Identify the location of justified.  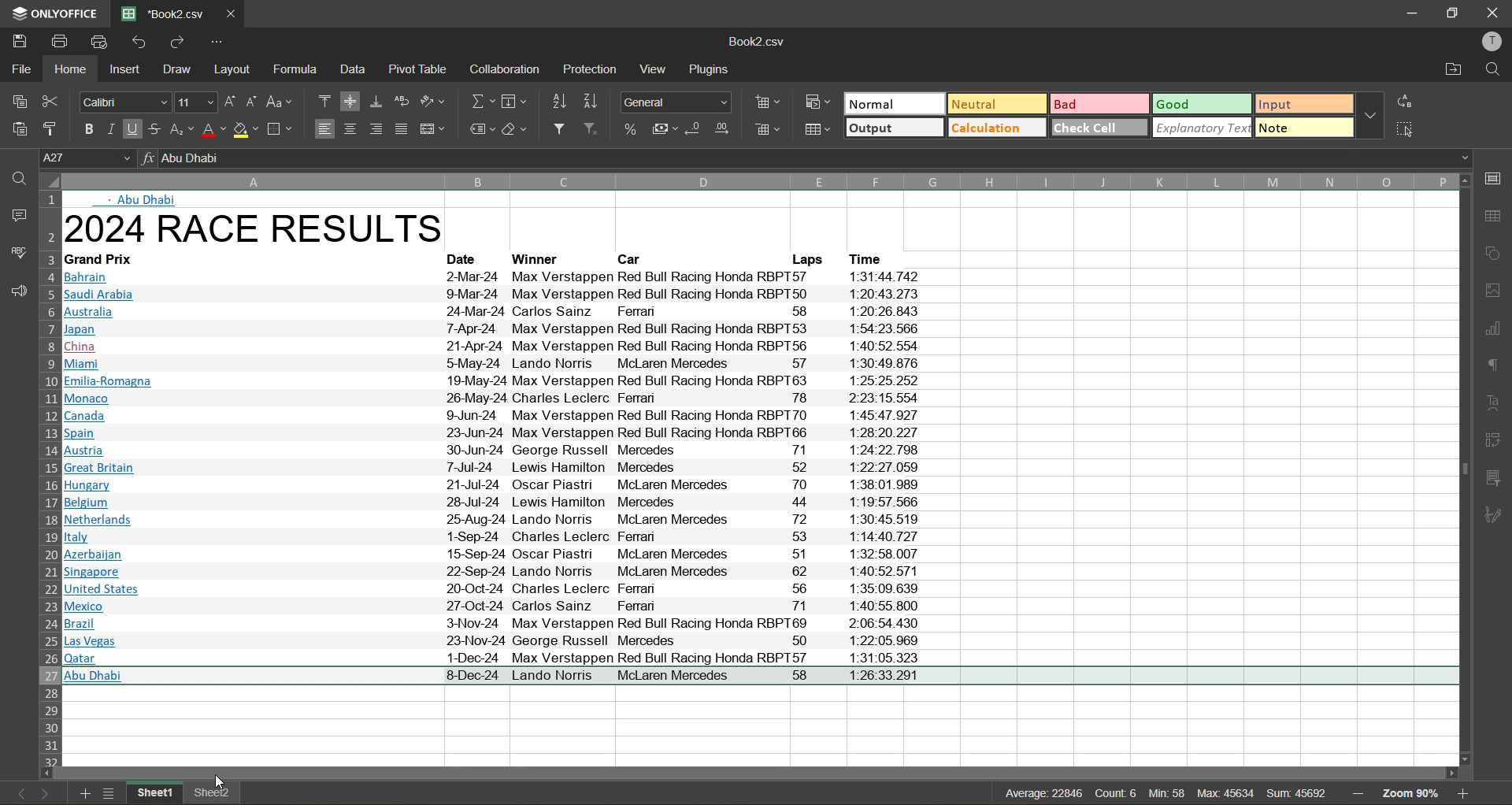
(405, 131).